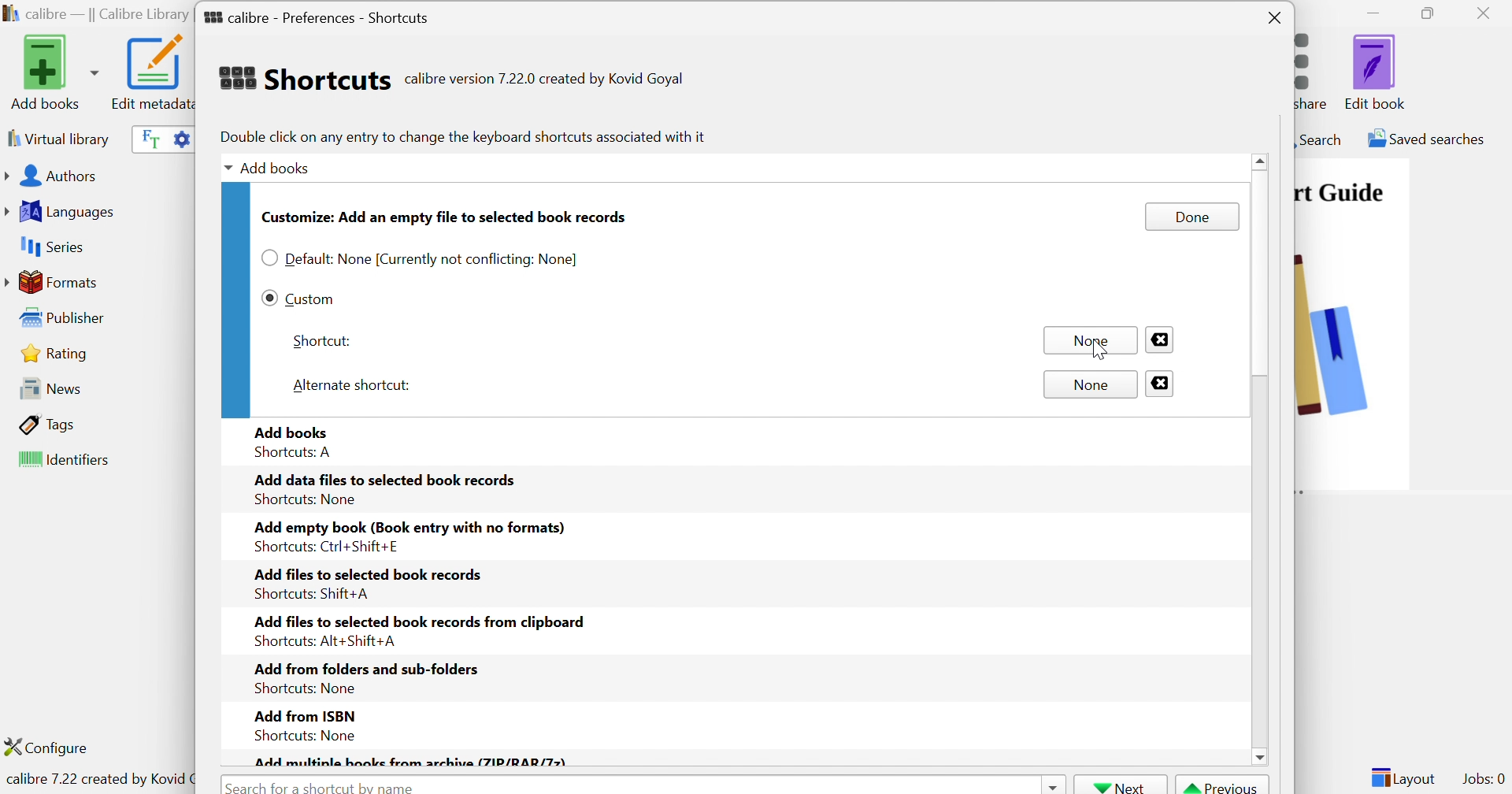 This screenshot has width=1512, height=794. What do you see at coordinates (1158, 338) in the screenshot?
I see `Close` at bounding box center [1158, 338].